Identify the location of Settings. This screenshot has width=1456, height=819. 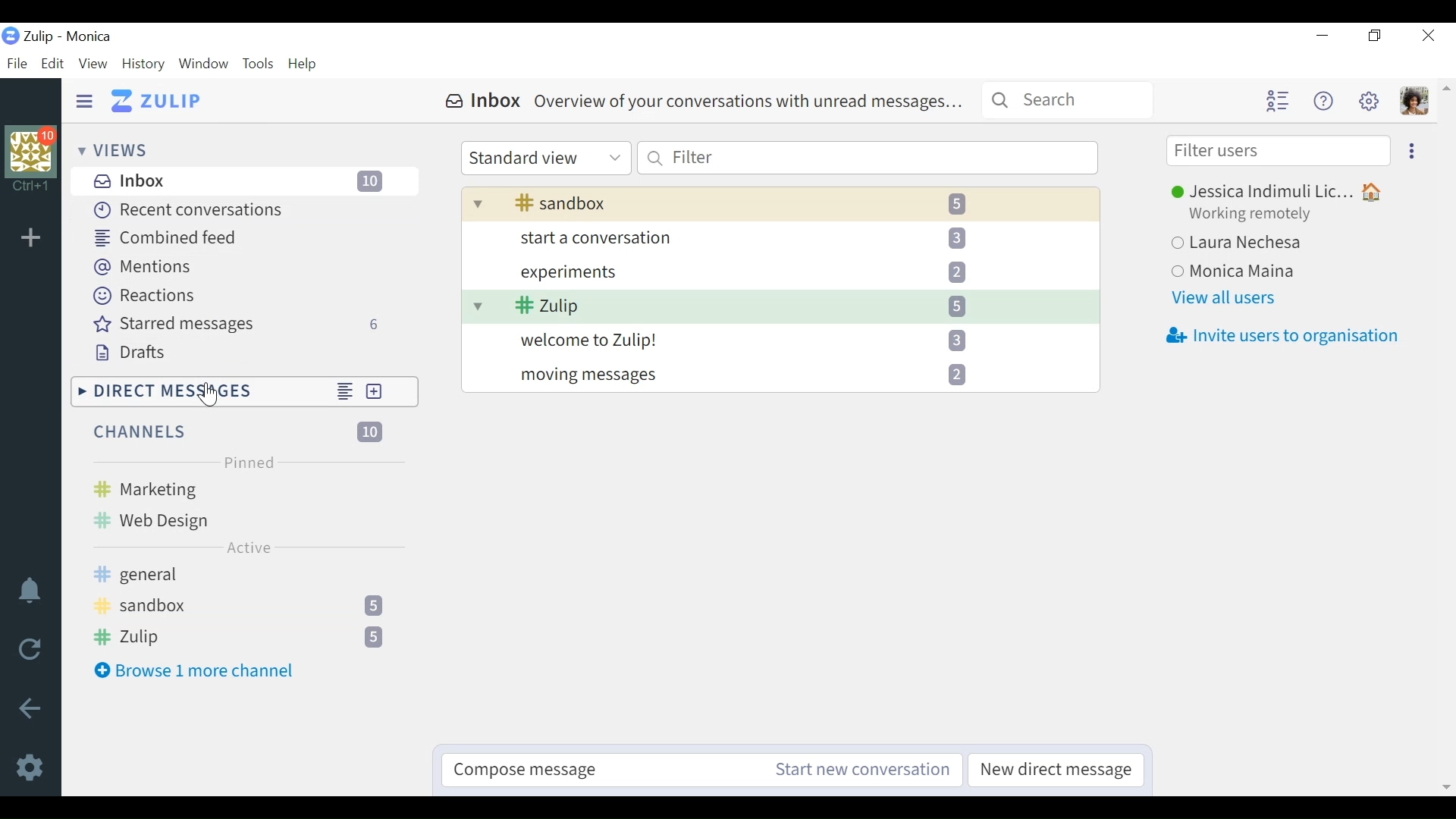
(28, 766).